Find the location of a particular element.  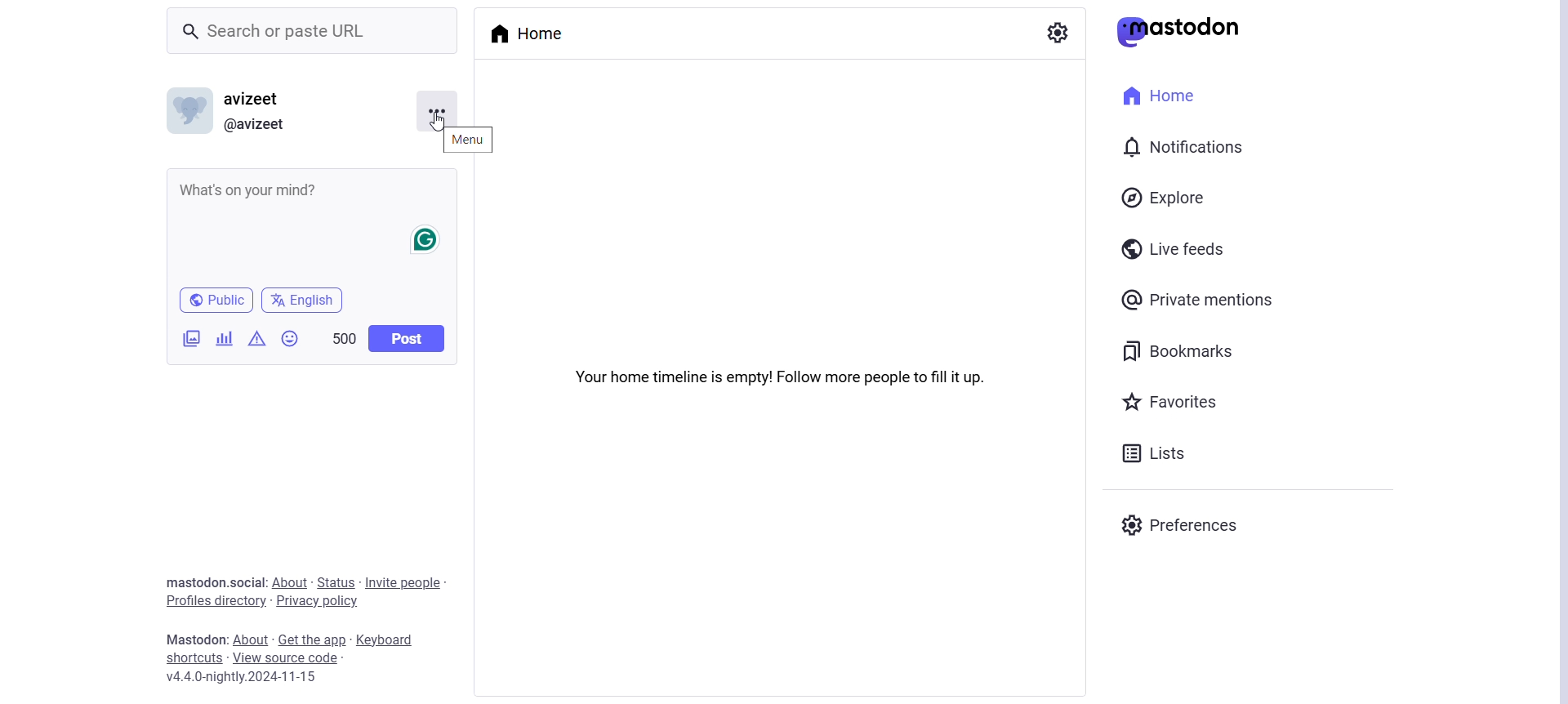

Lists is located at coordinates (1160, 453).